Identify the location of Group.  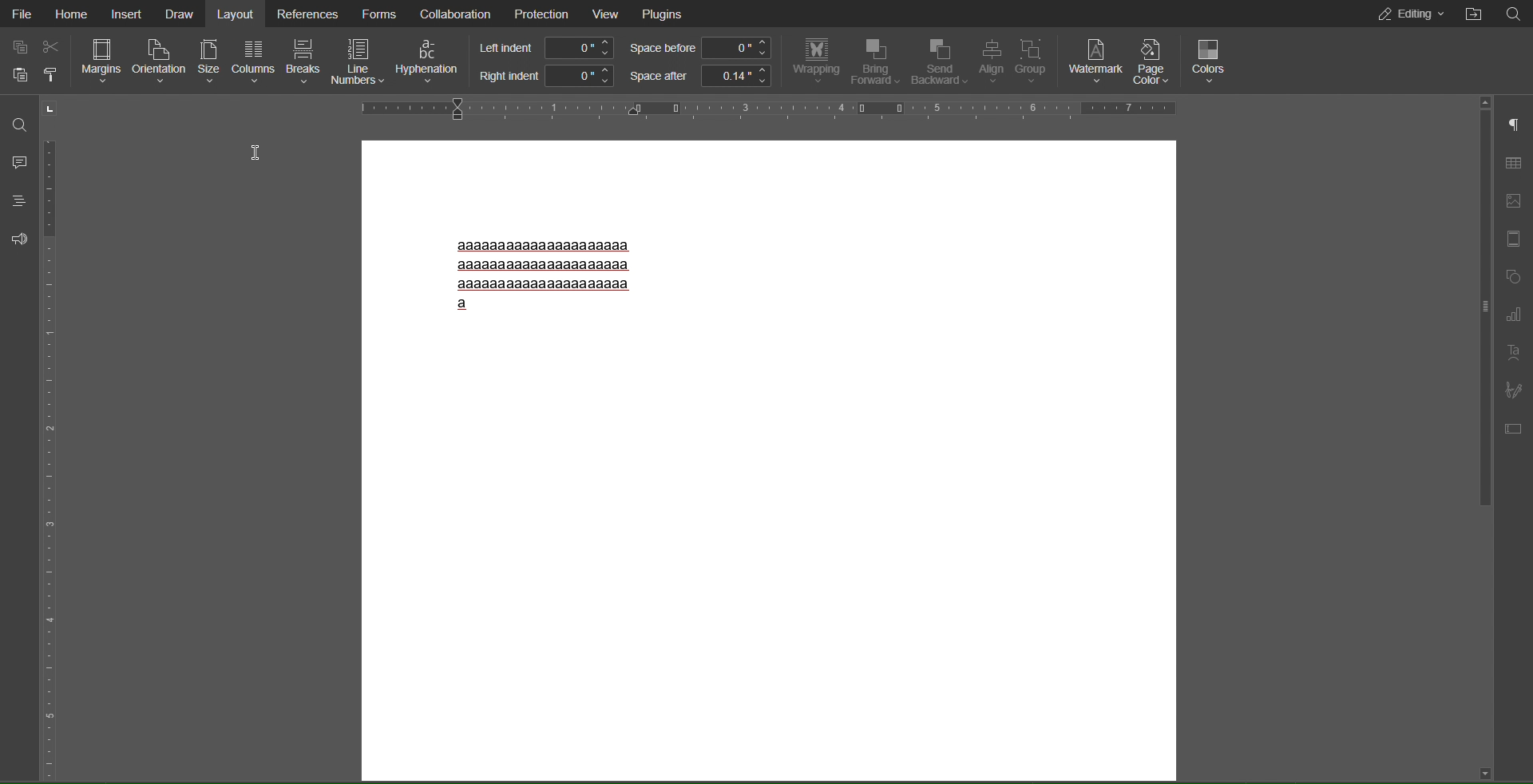
(1036, 61).